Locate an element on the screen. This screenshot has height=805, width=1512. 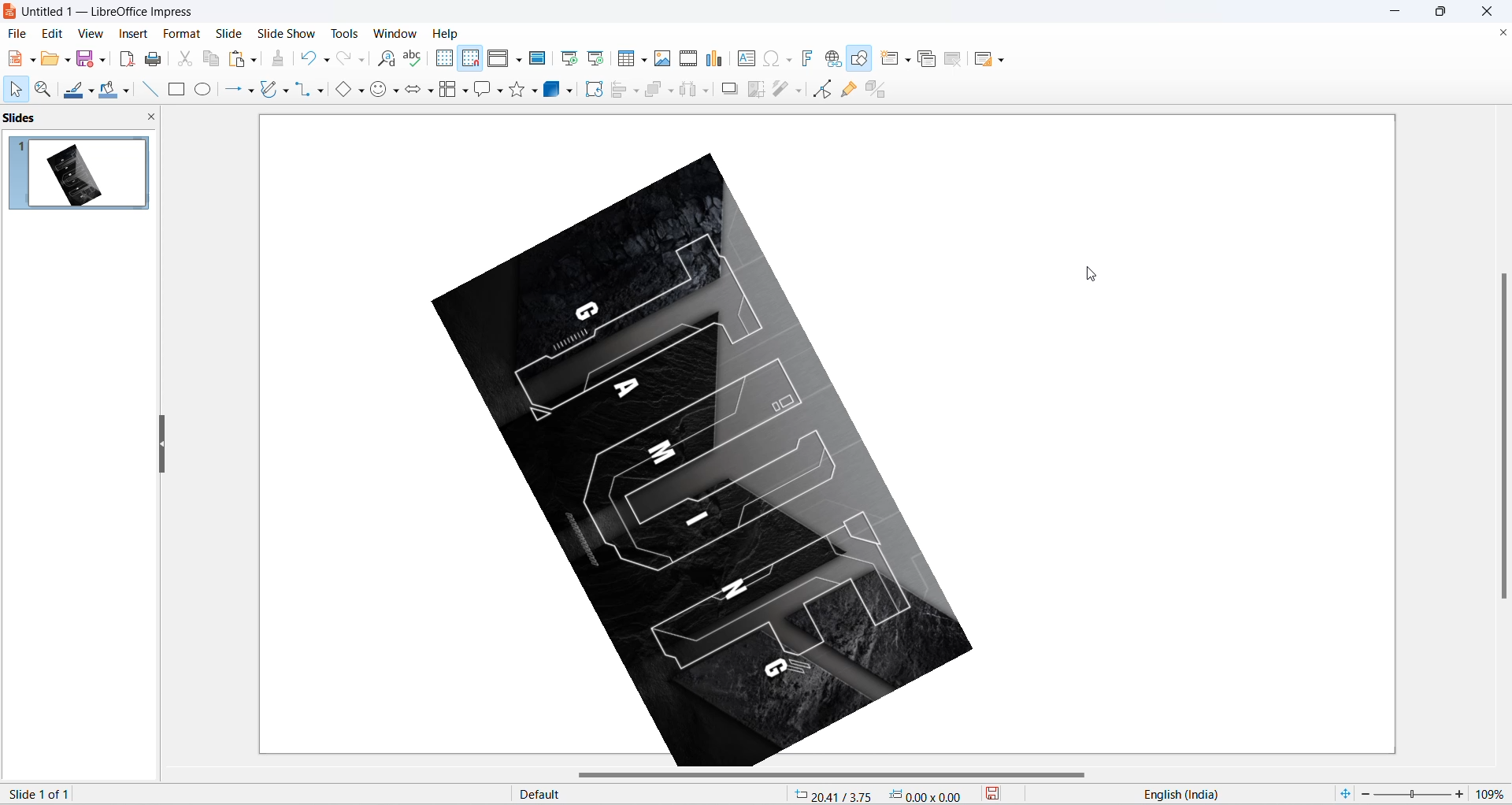
image selection markup is located at coordinates (434, 476).